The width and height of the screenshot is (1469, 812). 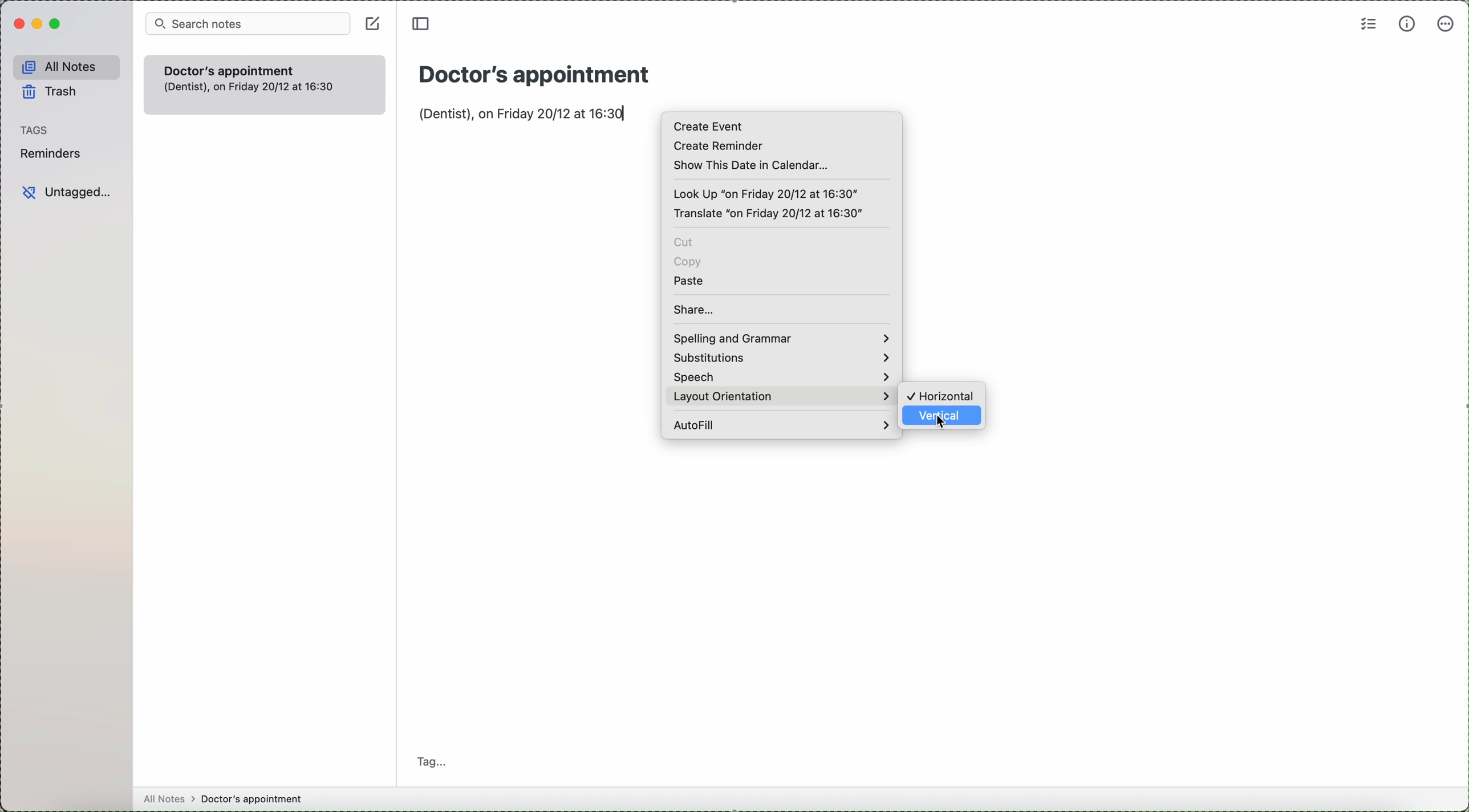 What do you see at coordinates (1407, 24) in the screenshot?
I see `metrics` at bounding box center [1407, 24].